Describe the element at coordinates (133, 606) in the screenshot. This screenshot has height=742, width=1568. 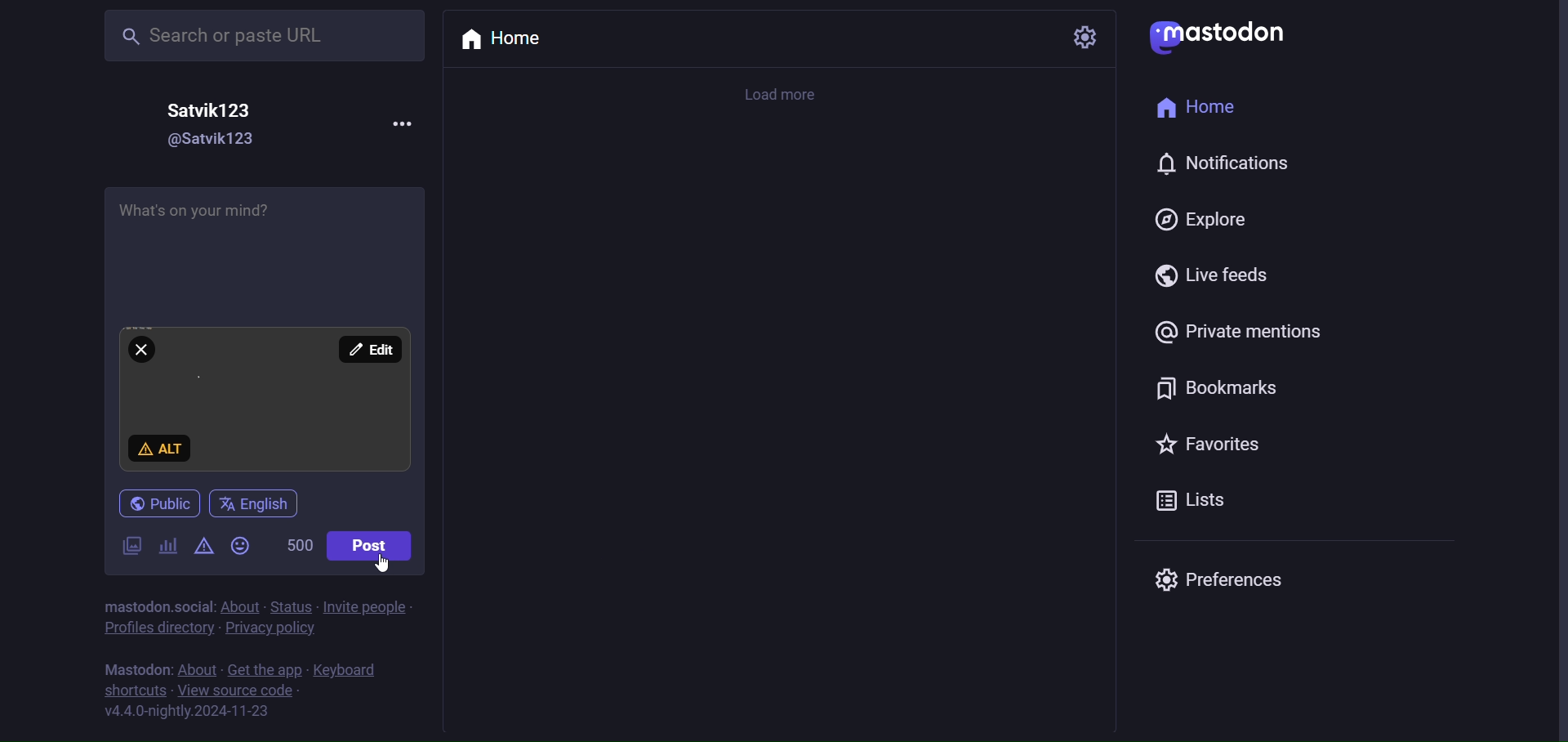
I see `mastodon` at that location.